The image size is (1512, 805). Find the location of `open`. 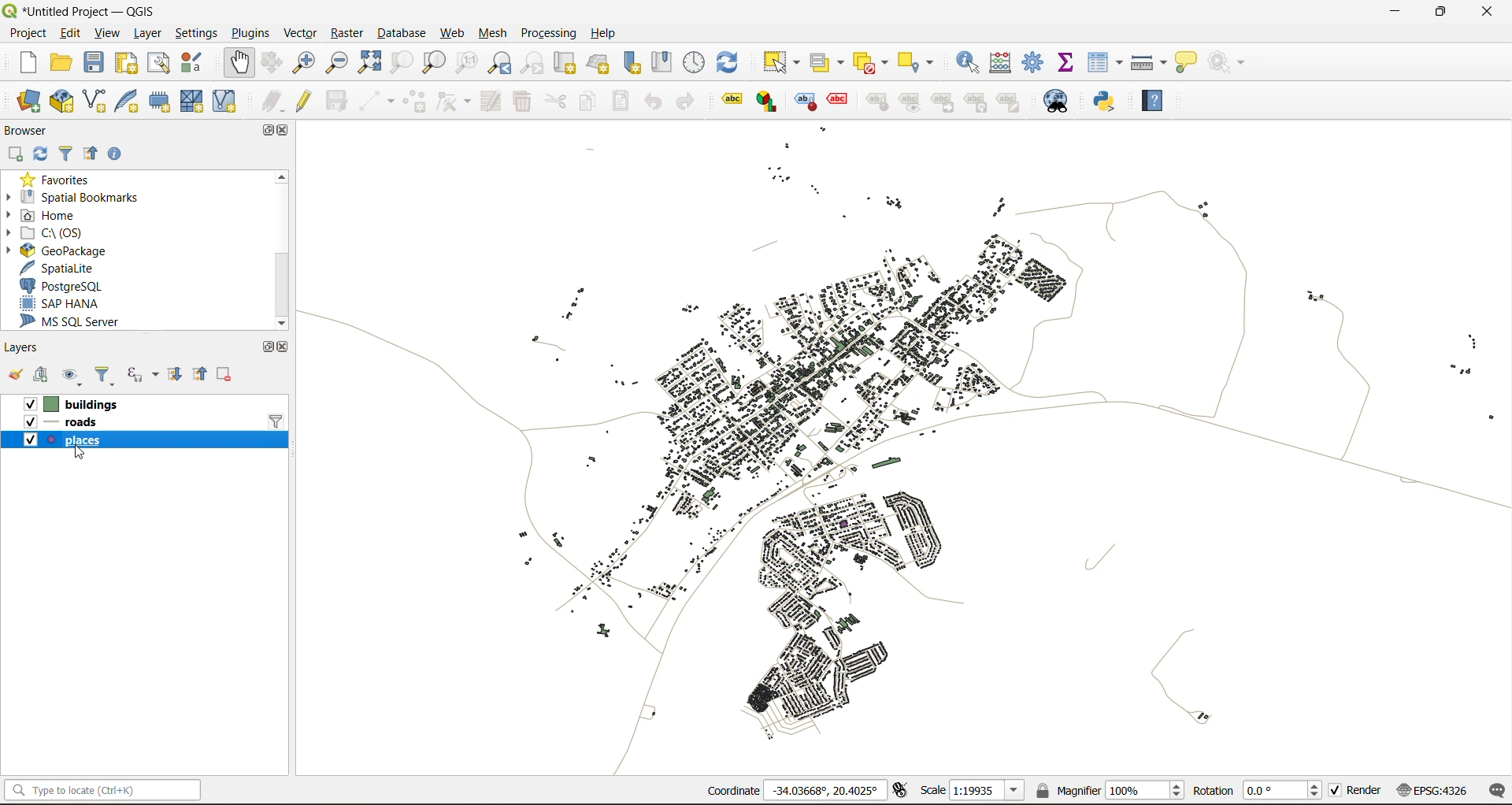

open is located at coordinates (16, 376).